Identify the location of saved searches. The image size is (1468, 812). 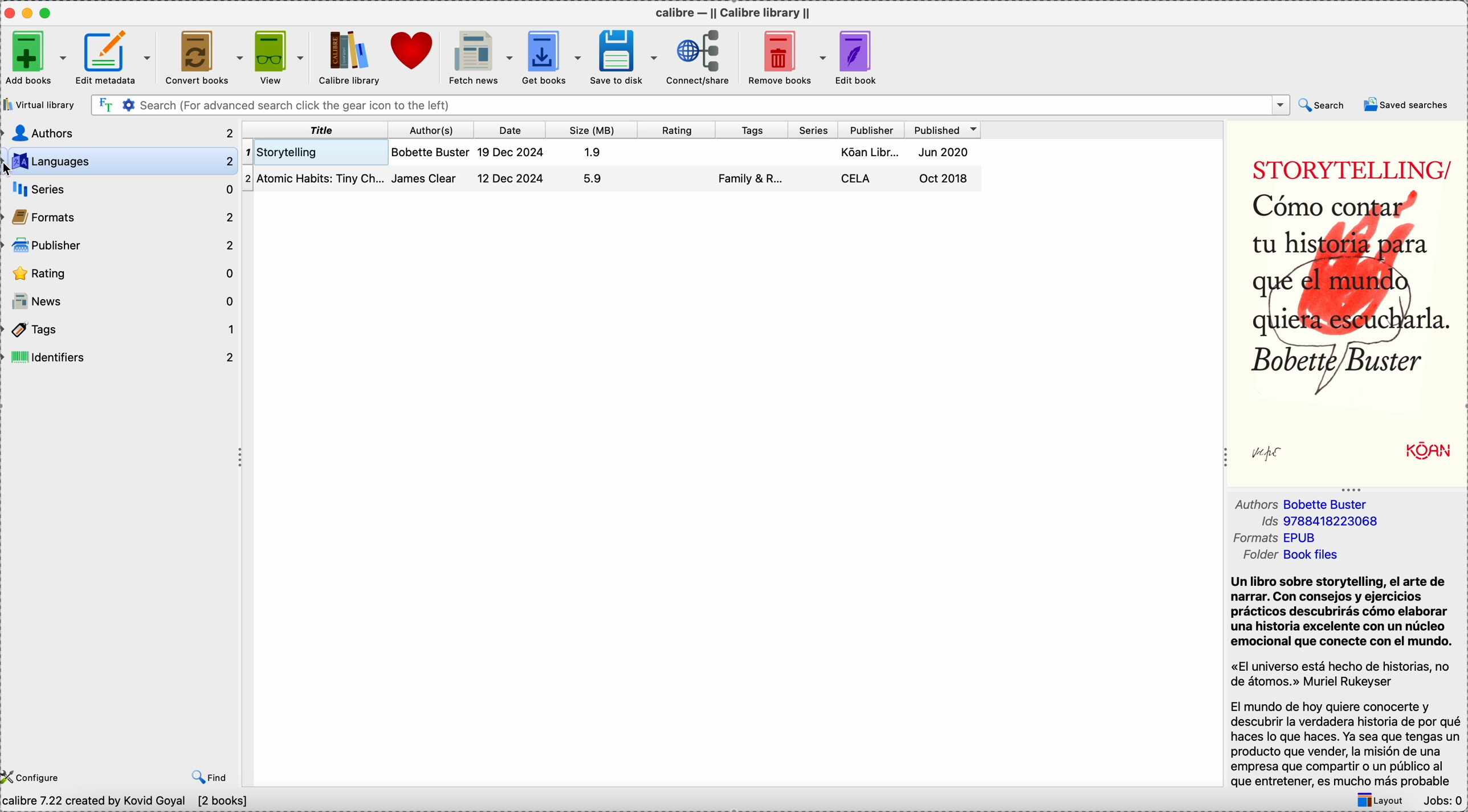
(1406, 104).